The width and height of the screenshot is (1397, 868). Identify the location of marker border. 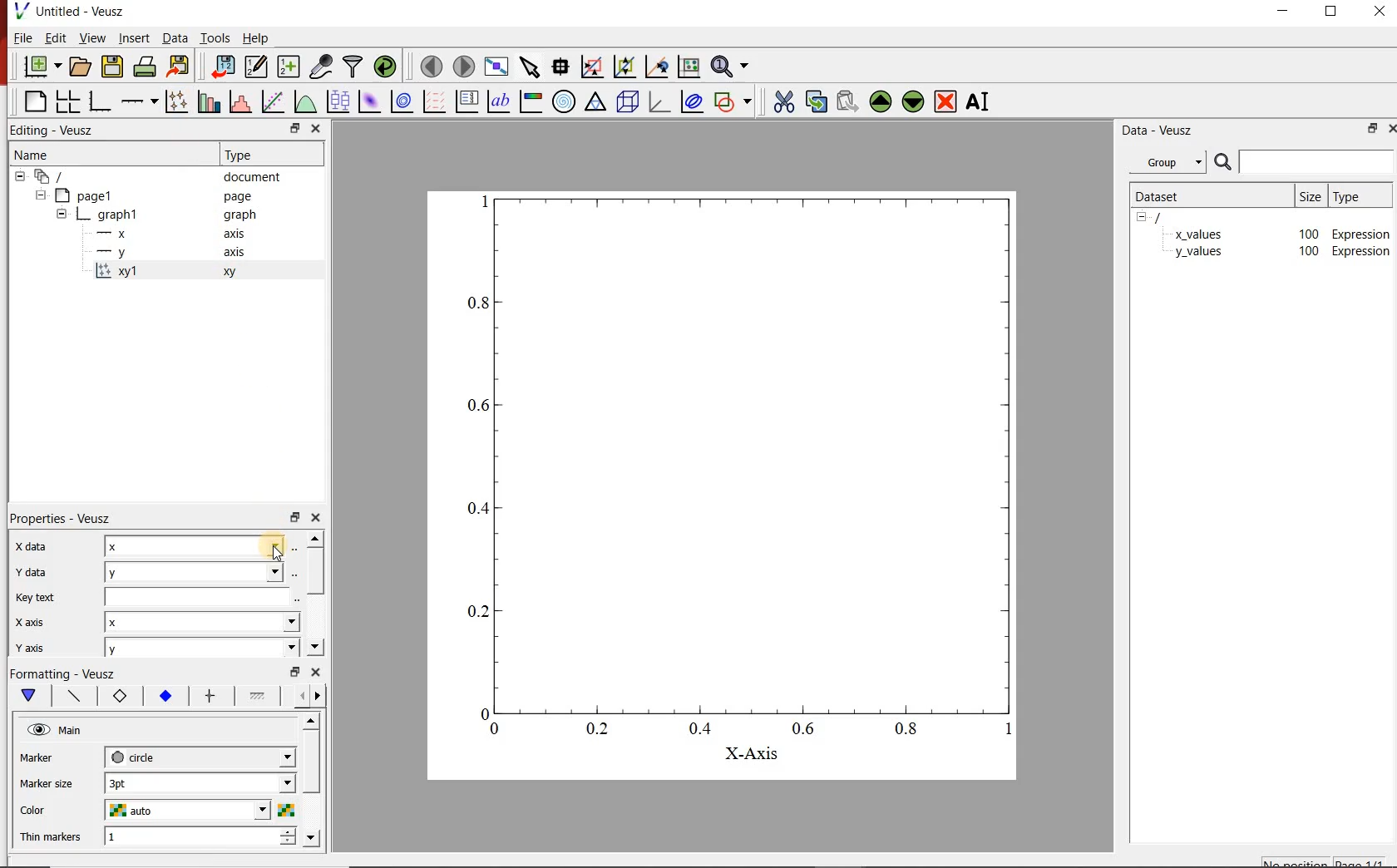
(119, 697).